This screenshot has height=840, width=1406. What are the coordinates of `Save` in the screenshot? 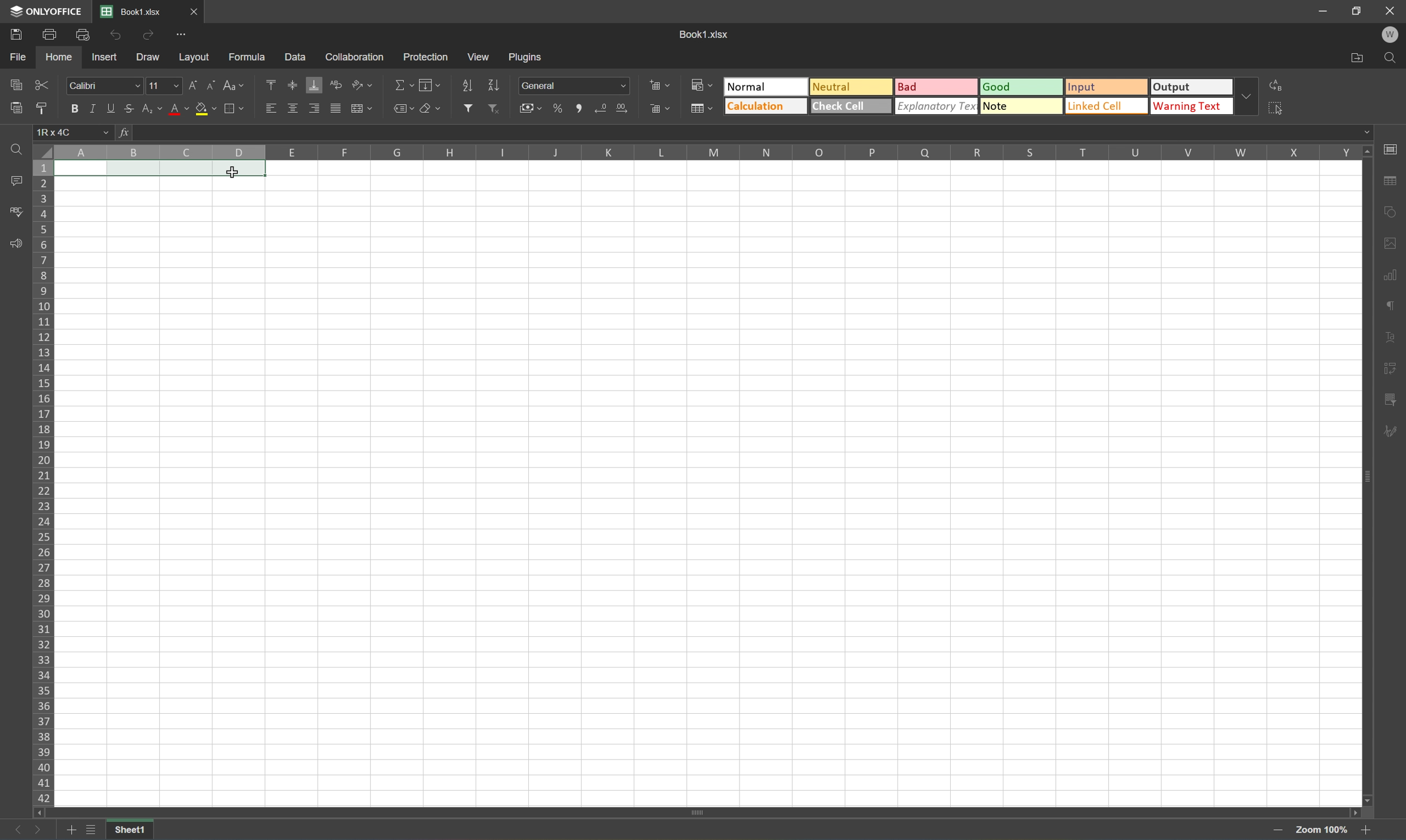 It's located at (13, 36).